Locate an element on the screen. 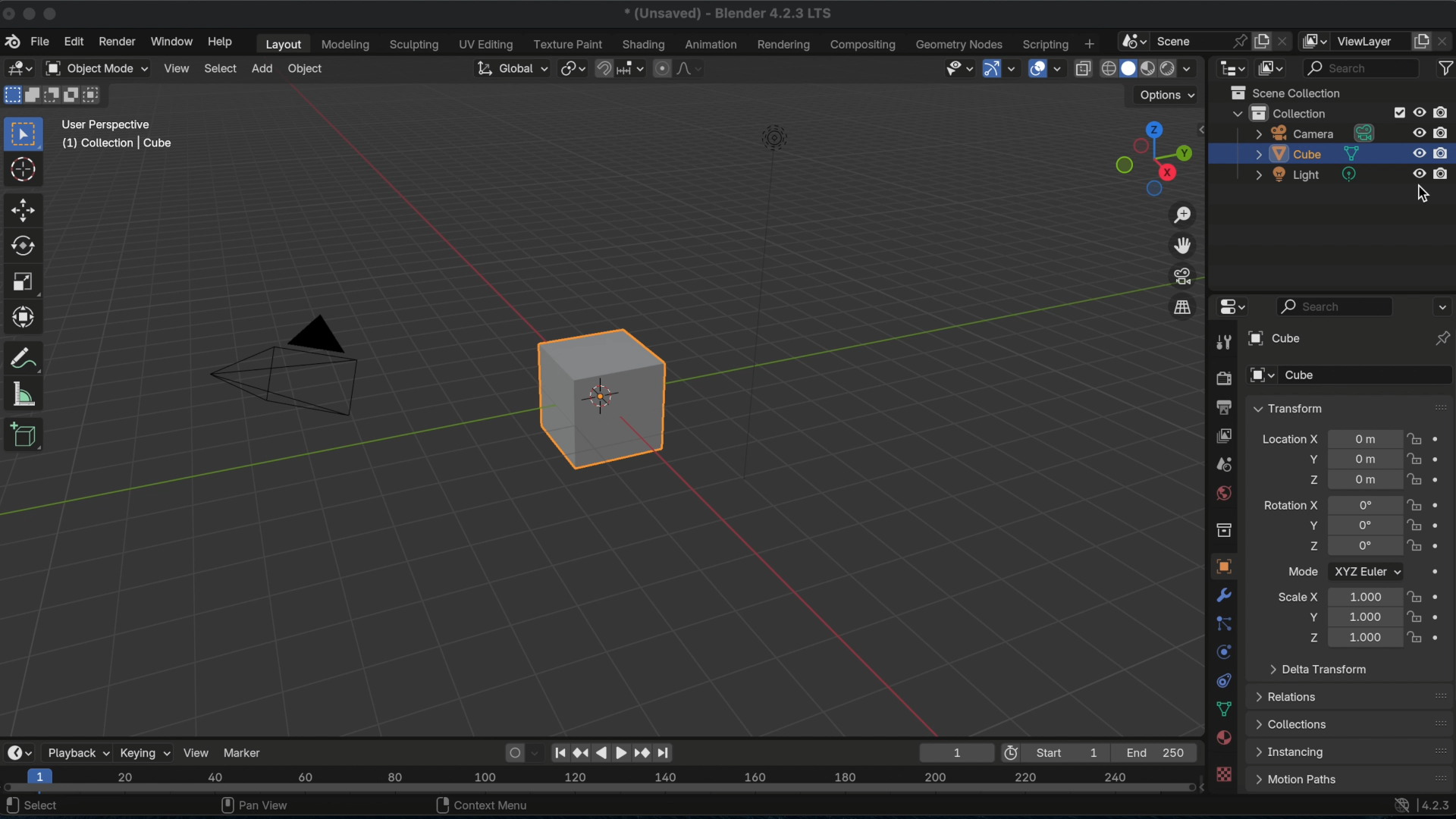 The height and width of the screenshot is (819, 1456). help is located at coordinates (221, 42).